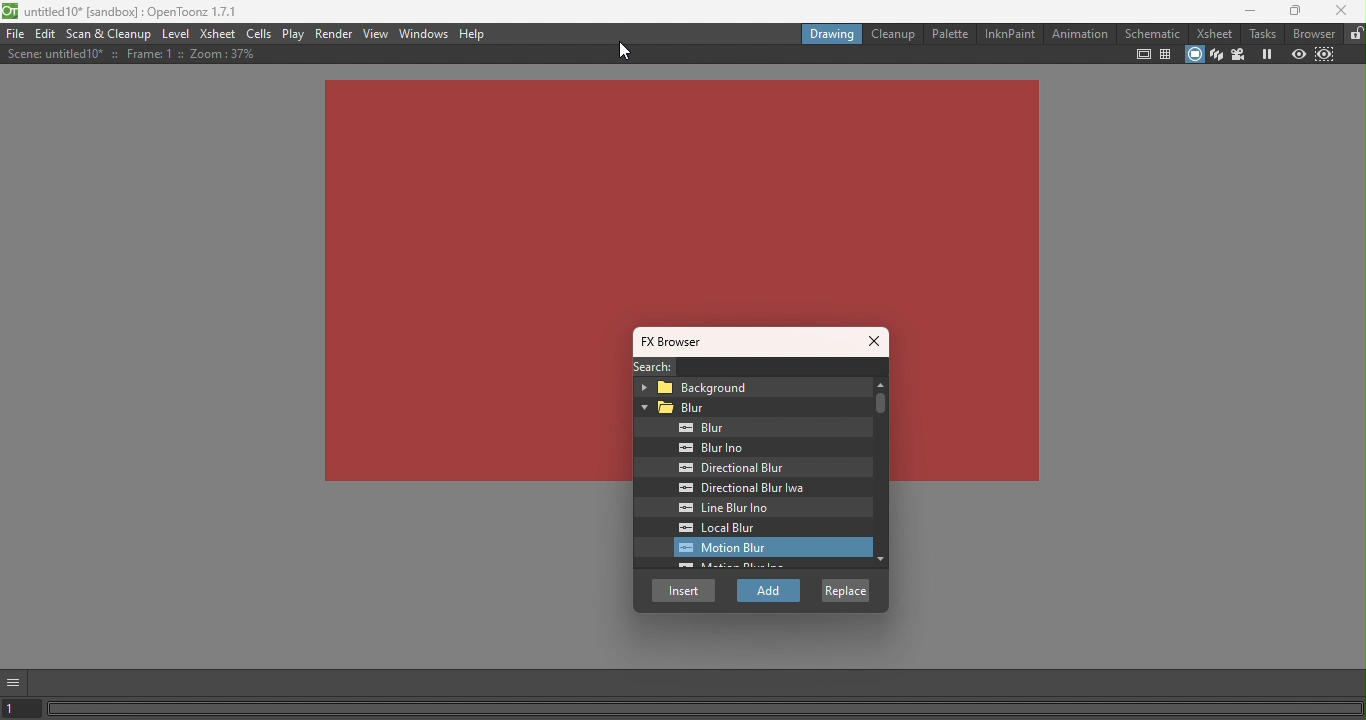  What do you see at coordinates (730, 468) in the screenshot?
I see `Directional Blur` at bounding box center [730, 468].